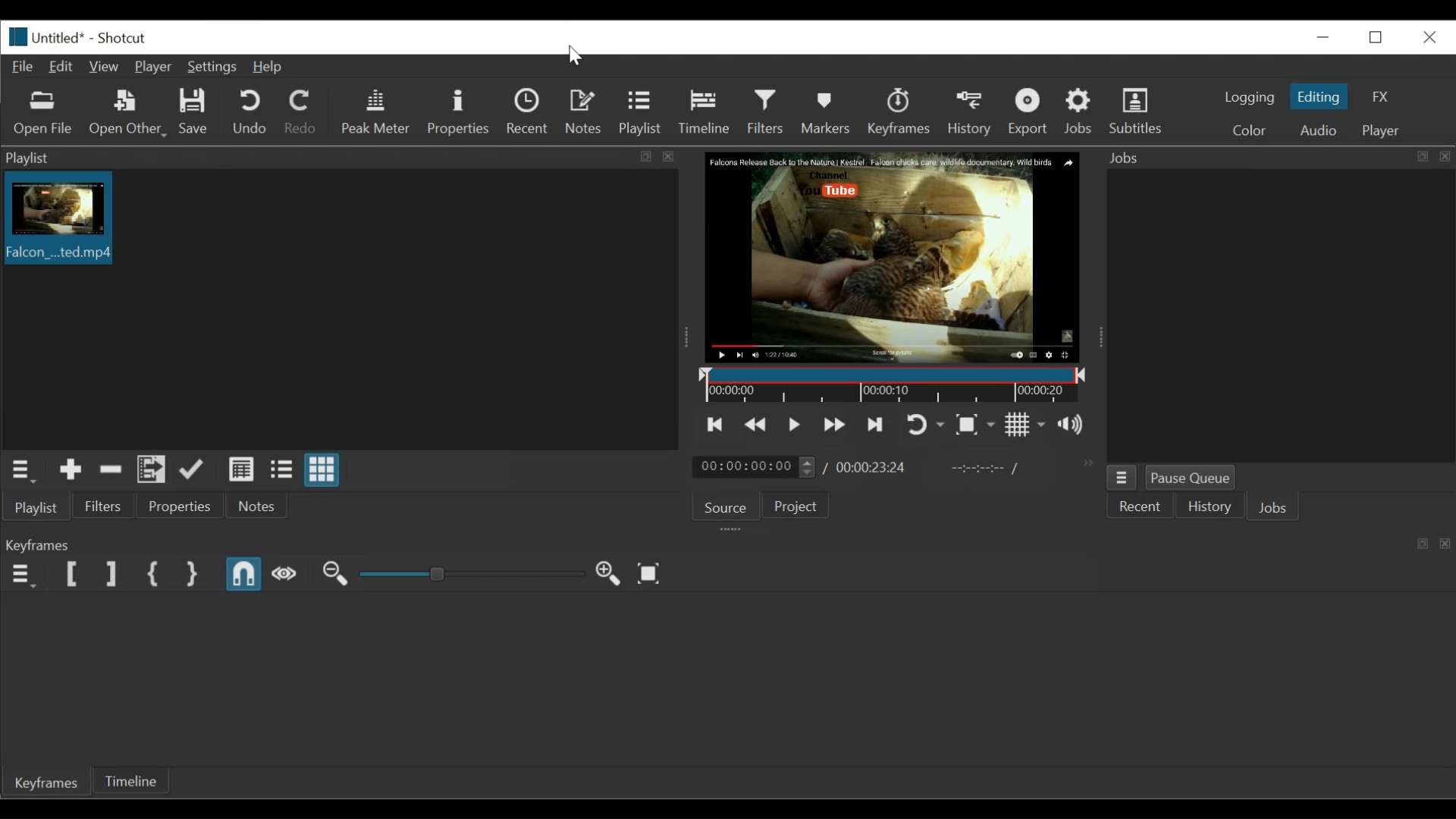 Image resolution: width=1456 pixels, height=819 pixels. What do you see at coordinates (1073, 426) in the screenshot?
I see `show the volume control ` at bounding box center [1073, 426].